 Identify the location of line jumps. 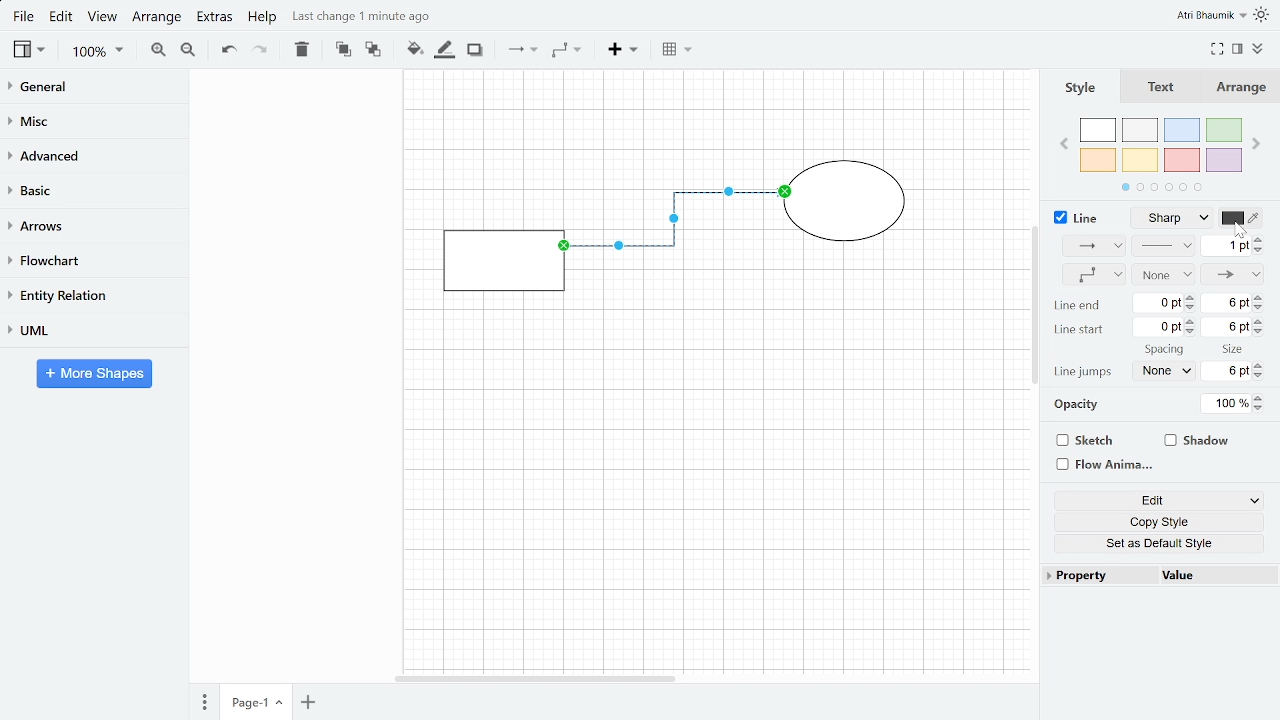
(1085, 371).